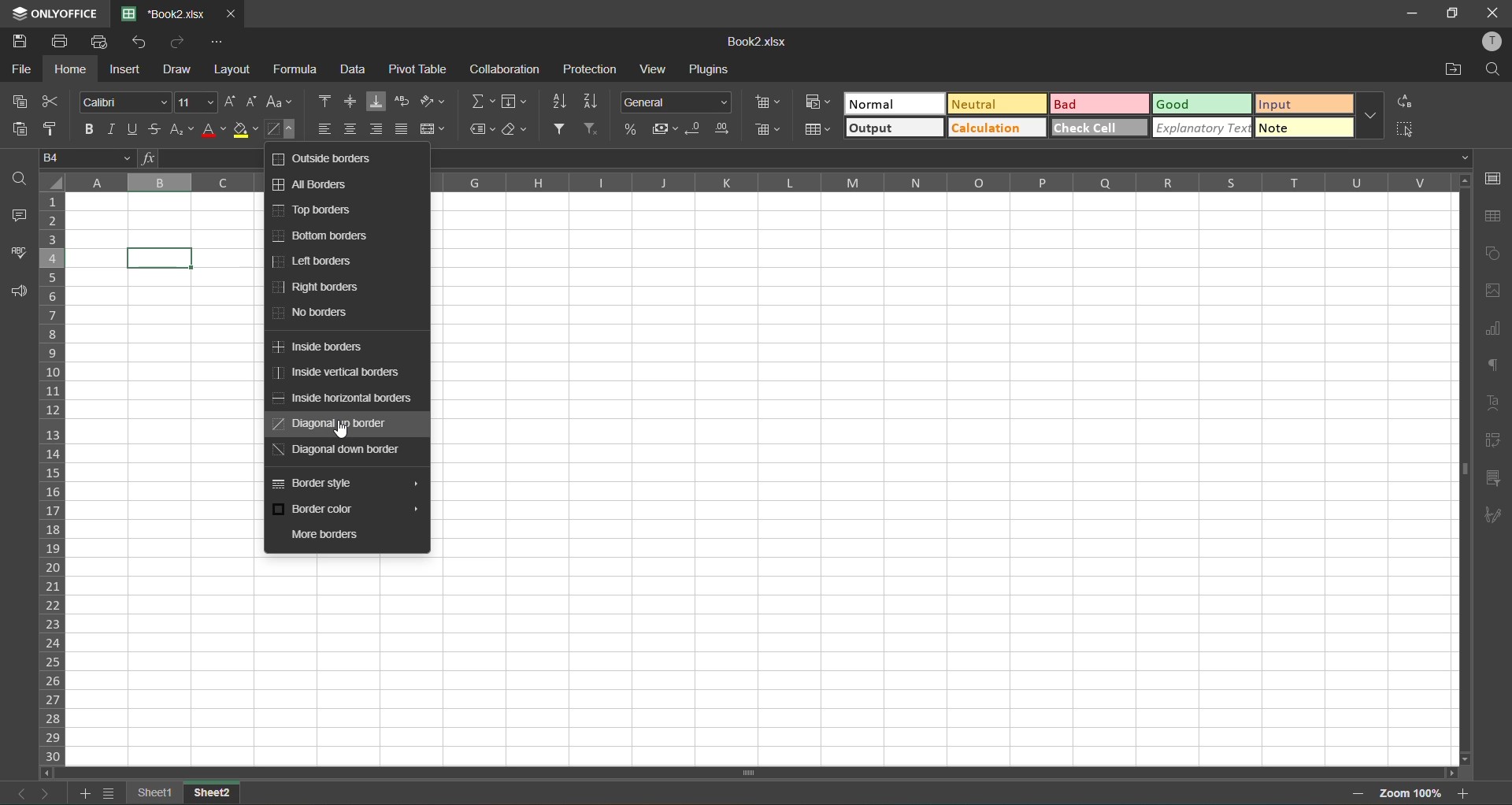 The image size is (1512, 805). What do you see at coordinates (484, 130) in the screenshot?
I see `named ranges` at bounding box center [484, 130].